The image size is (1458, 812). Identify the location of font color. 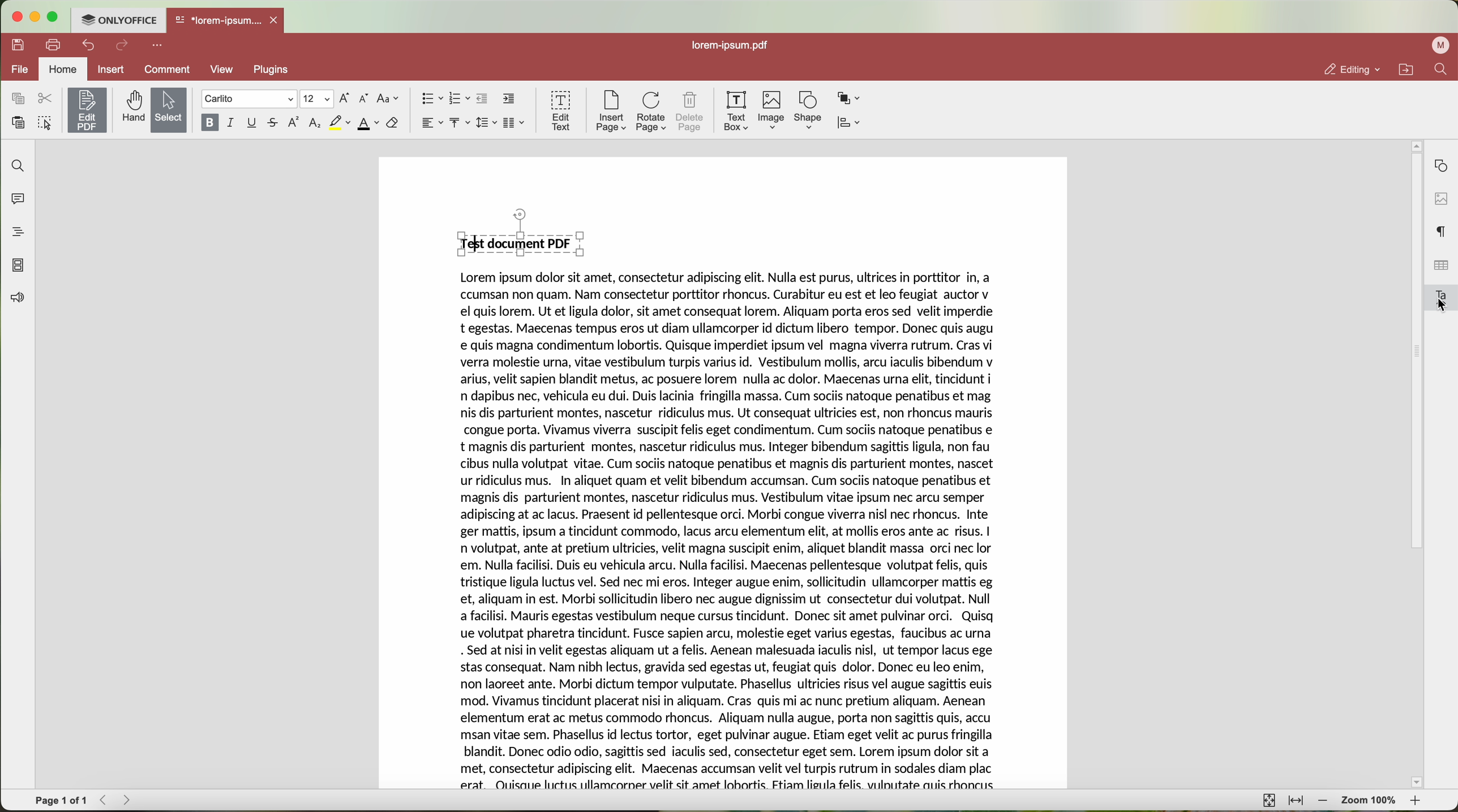
(368, 124).